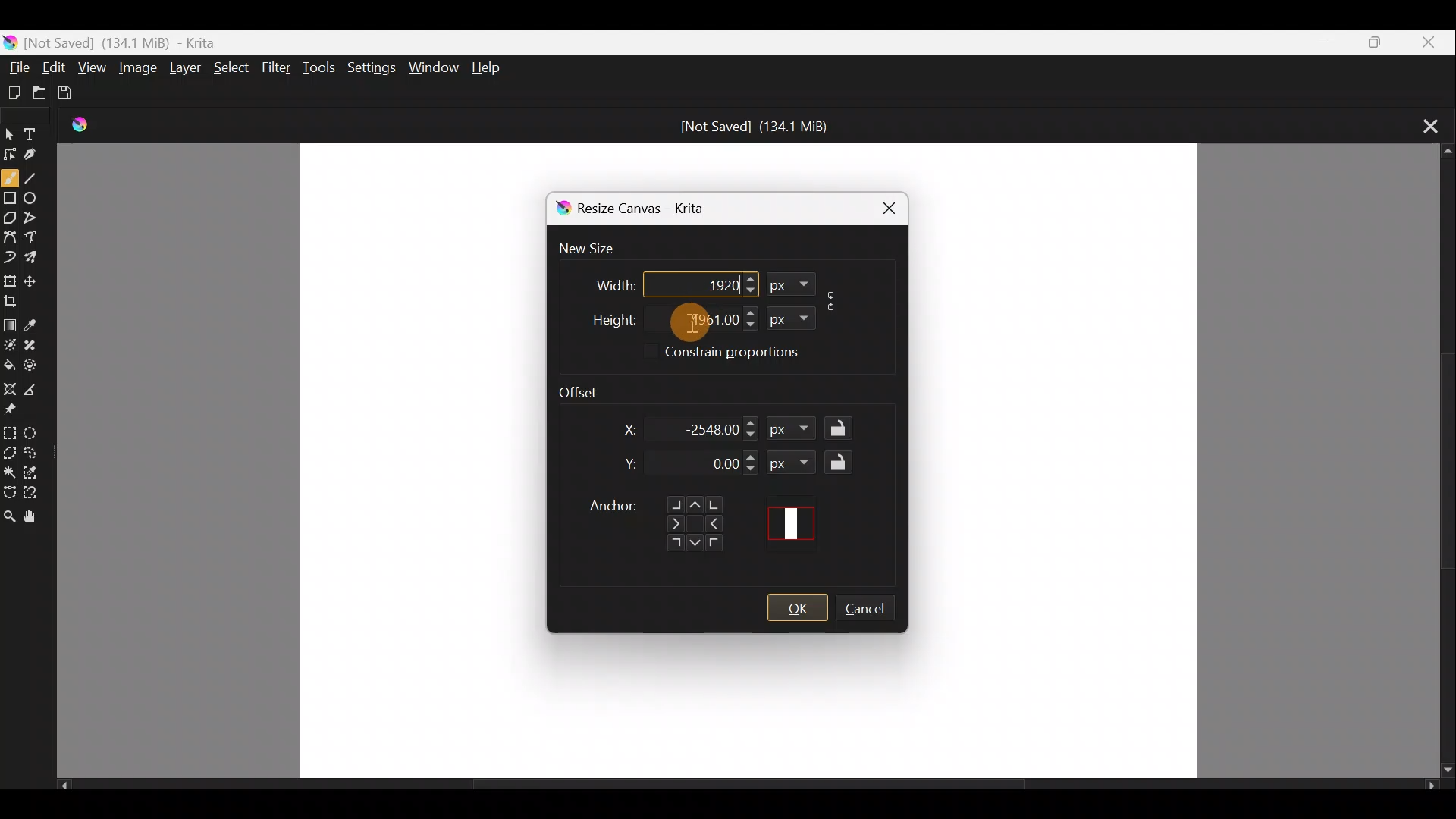 This screenshot has height=819, width=1456. Describe the element at coordinates (604, 281) in the screenshot. I see `Width` at that location.